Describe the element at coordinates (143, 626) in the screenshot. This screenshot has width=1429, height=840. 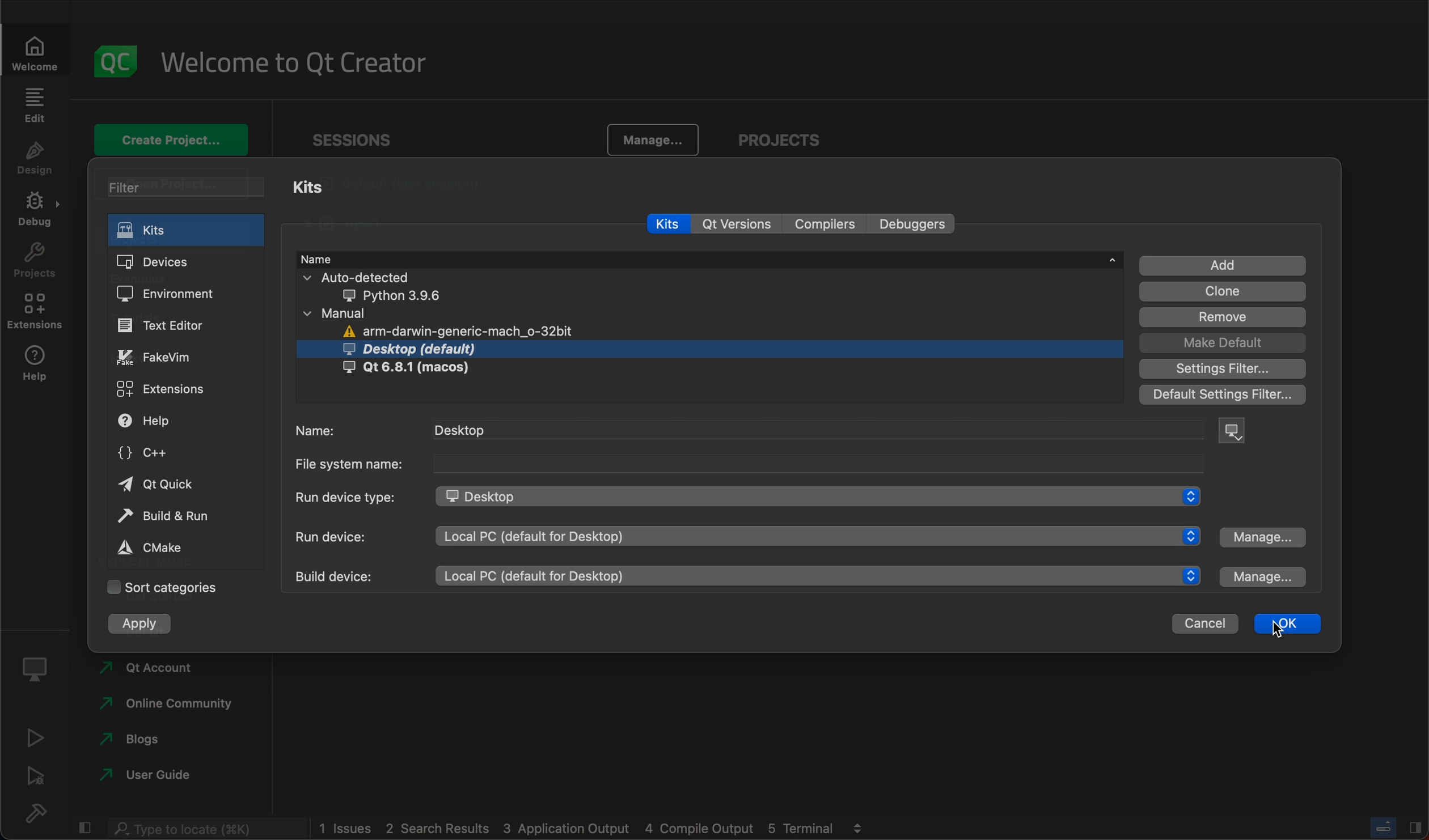
I see `apply` at that location.